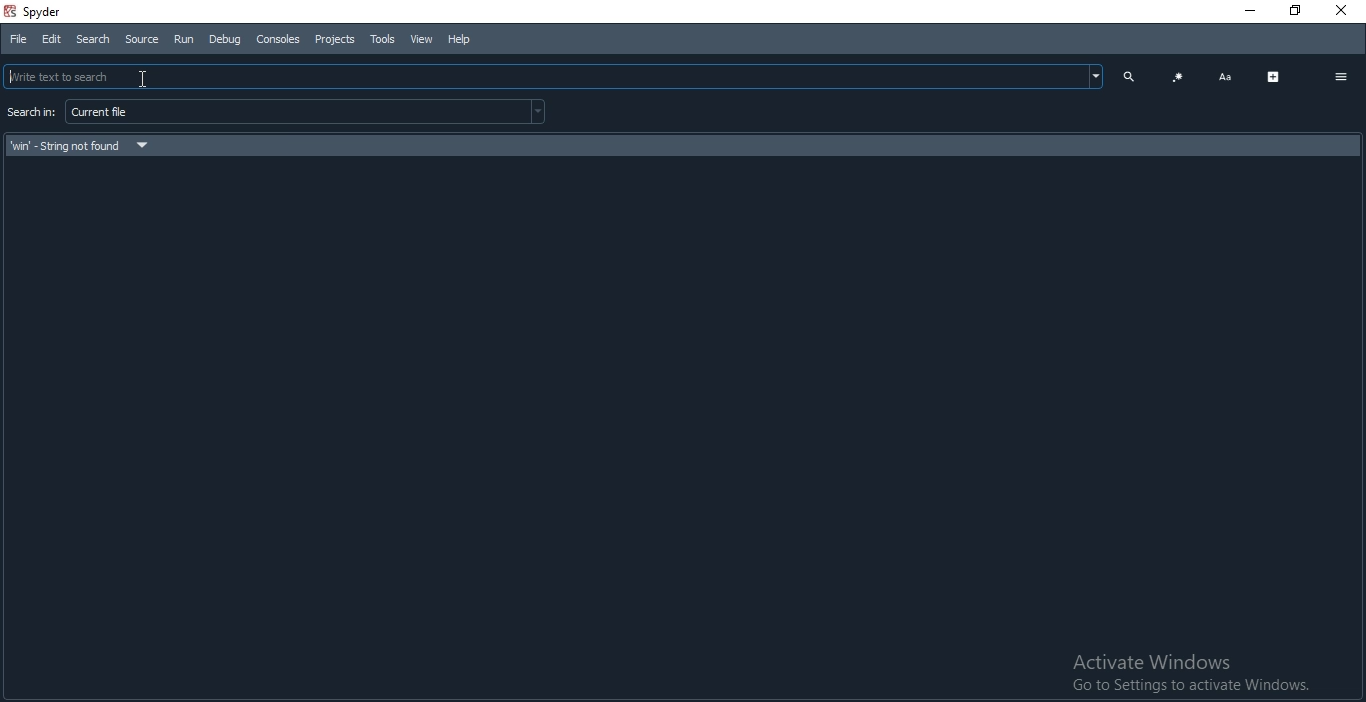 This screenshot has width=1366, height=702. What do you see at coordinates (678, 143) in the screenshot?
I see `search result` at bounding box center [678, 143].